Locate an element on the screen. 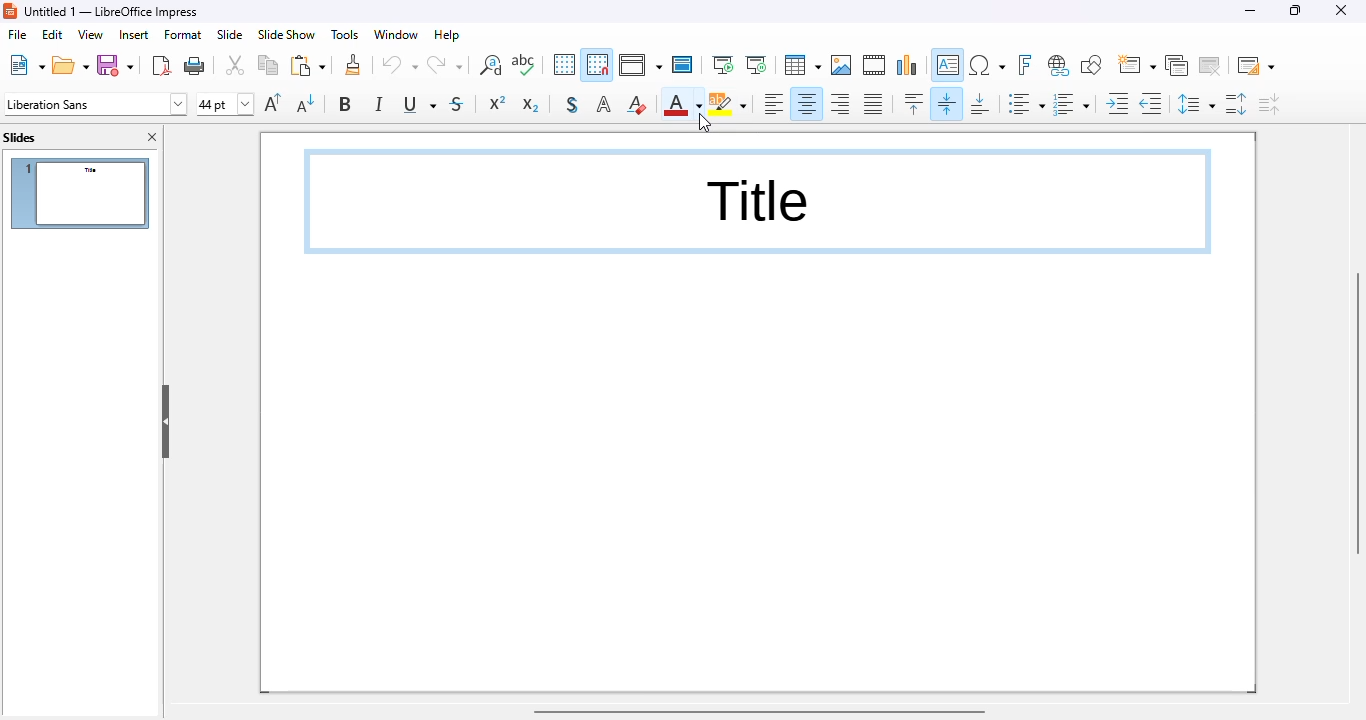 Image resolution: width=1366 pixels, height=720 pixels. italic is located at coordinates (380, 104).